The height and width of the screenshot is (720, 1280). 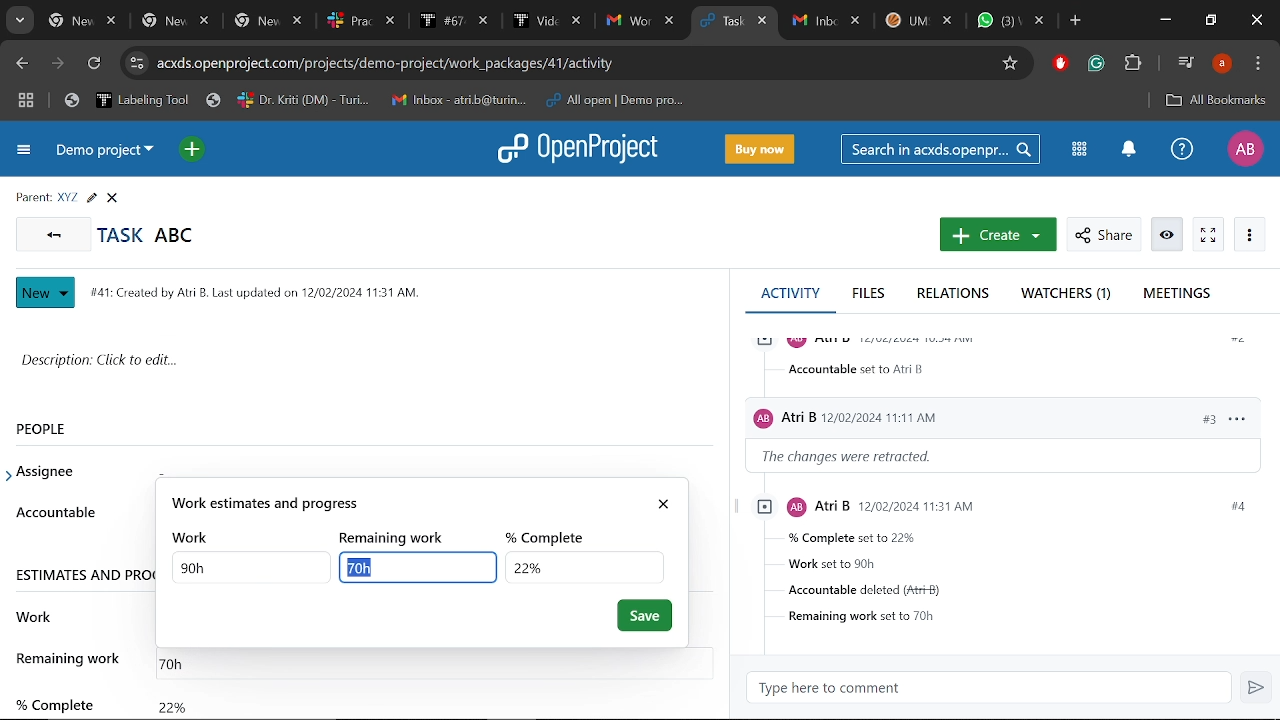 What do you see at coordinates (46, 293) in the screenshot?
I see `Nwe` at bounding box center [46, 293].